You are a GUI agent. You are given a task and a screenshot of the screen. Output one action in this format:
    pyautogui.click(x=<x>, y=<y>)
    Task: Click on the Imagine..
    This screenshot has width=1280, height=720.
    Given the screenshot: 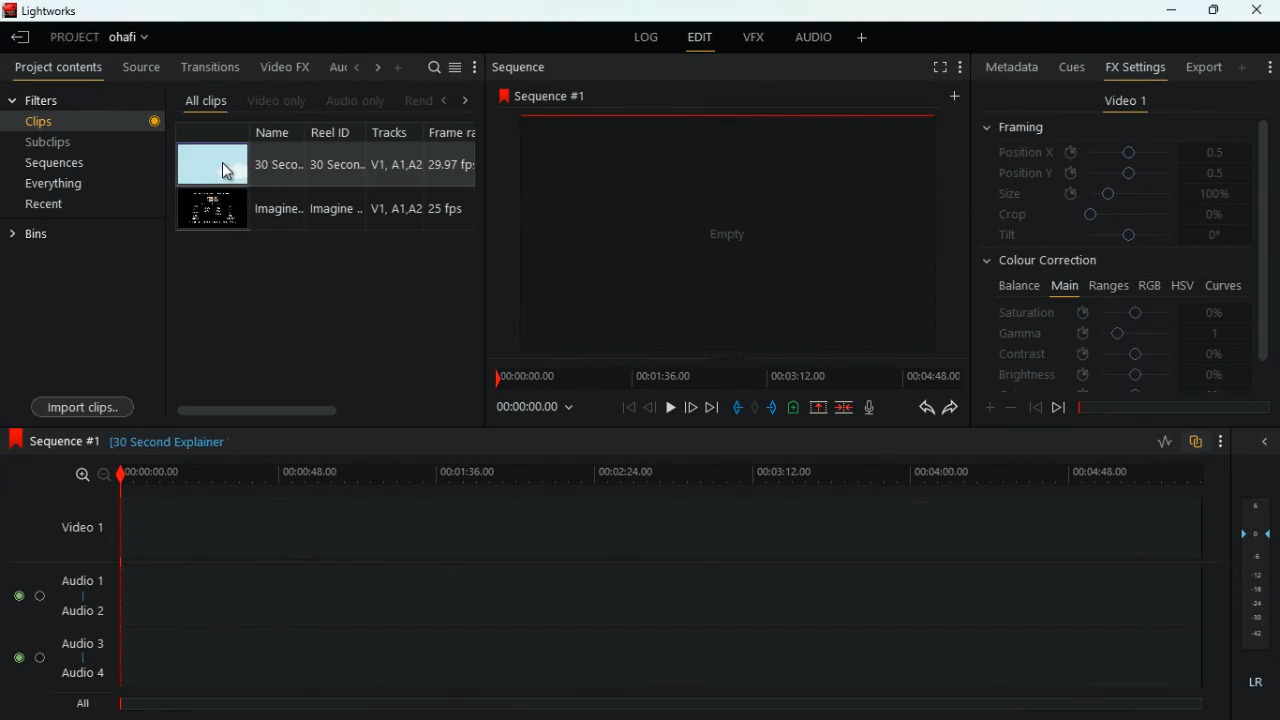 What is the action you would take?
    pyautogui.click(x=280, y=210)
    